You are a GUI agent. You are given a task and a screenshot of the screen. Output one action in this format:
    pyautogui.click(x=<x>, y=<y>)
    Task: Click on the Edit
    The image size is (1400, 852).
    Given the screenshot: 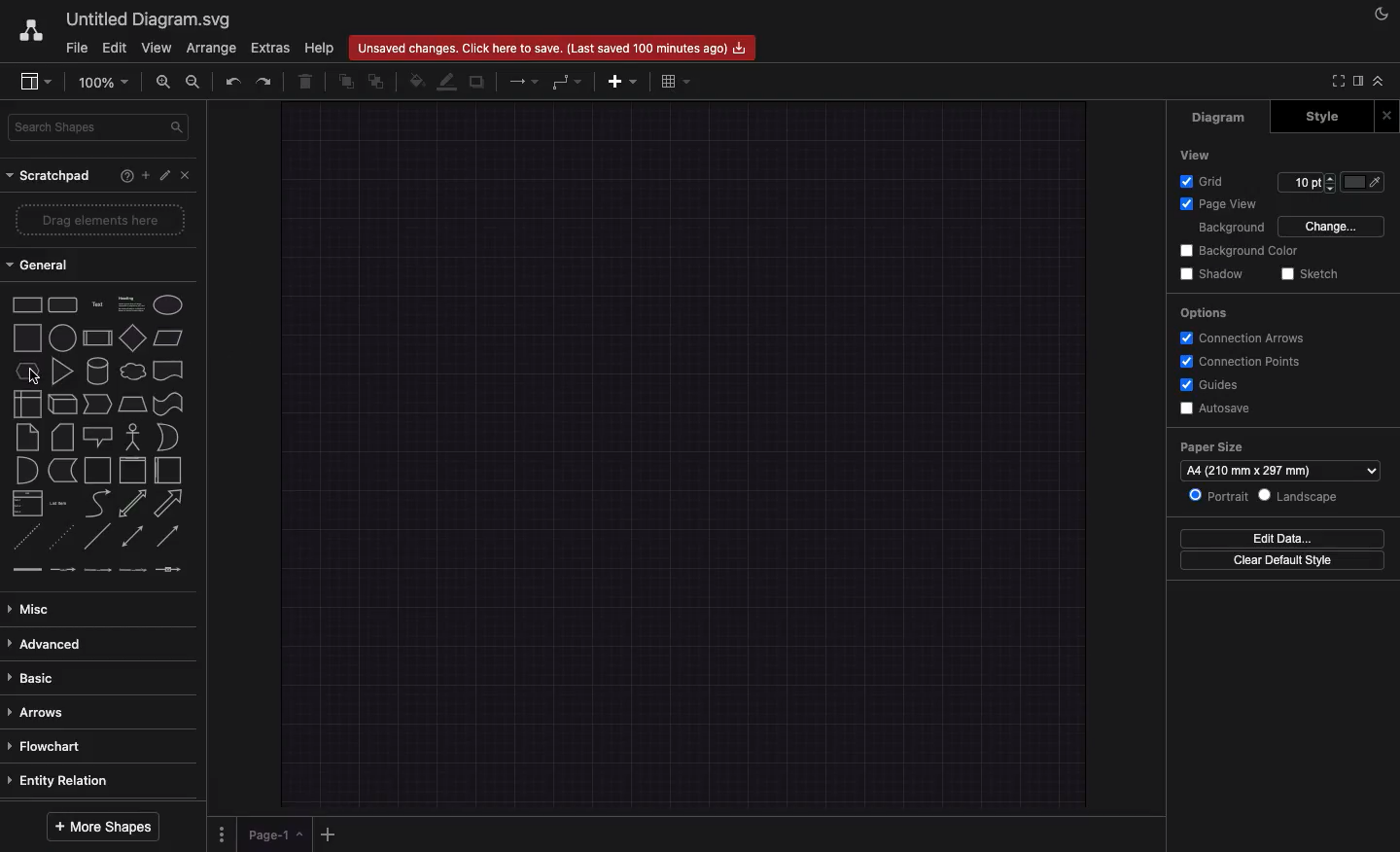 What is the action you would take?
    pyautogui.click(x=116, y=48)
    